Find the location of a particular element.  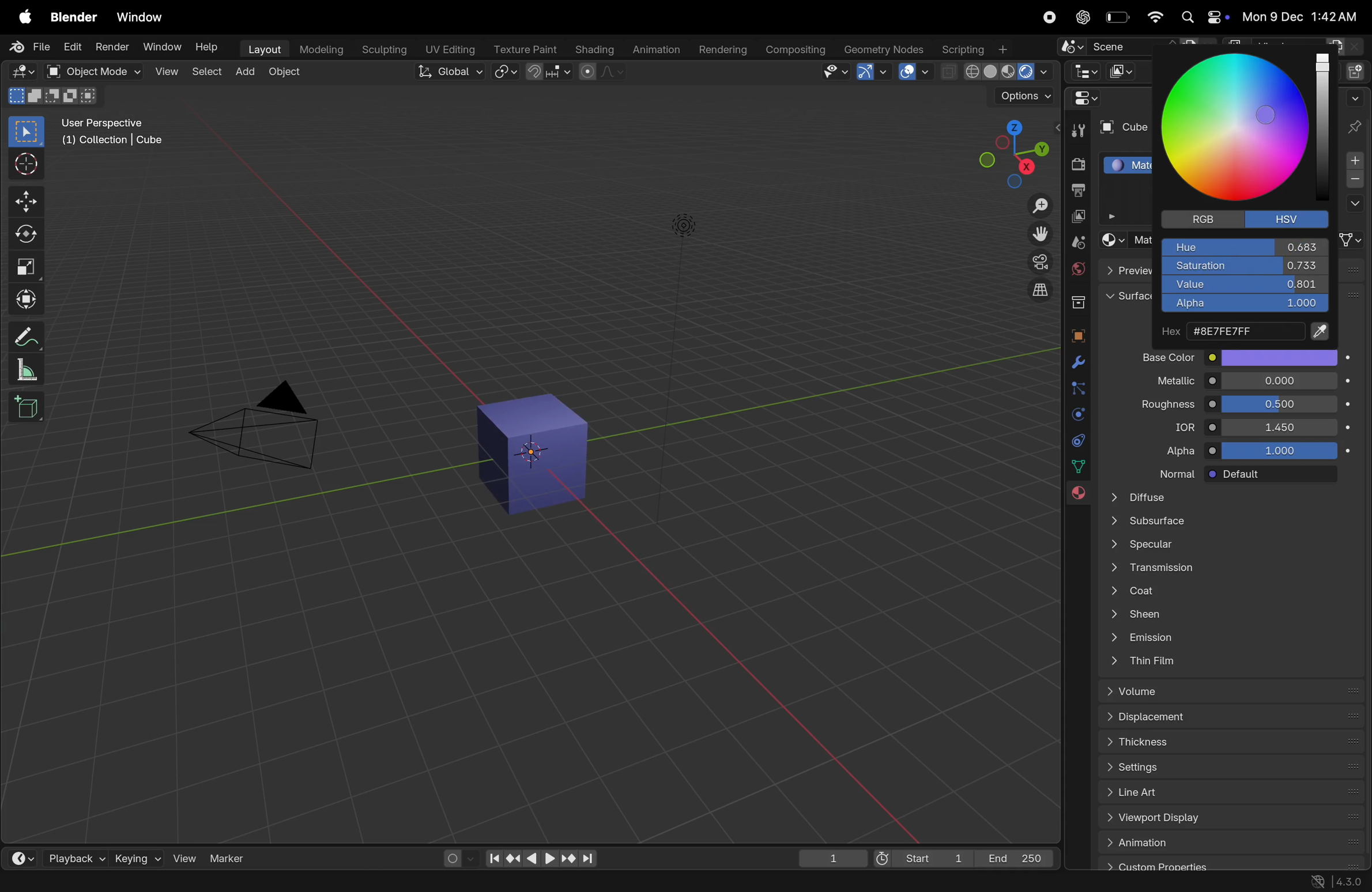

zoom i  is located at coordinates (1041, 202).